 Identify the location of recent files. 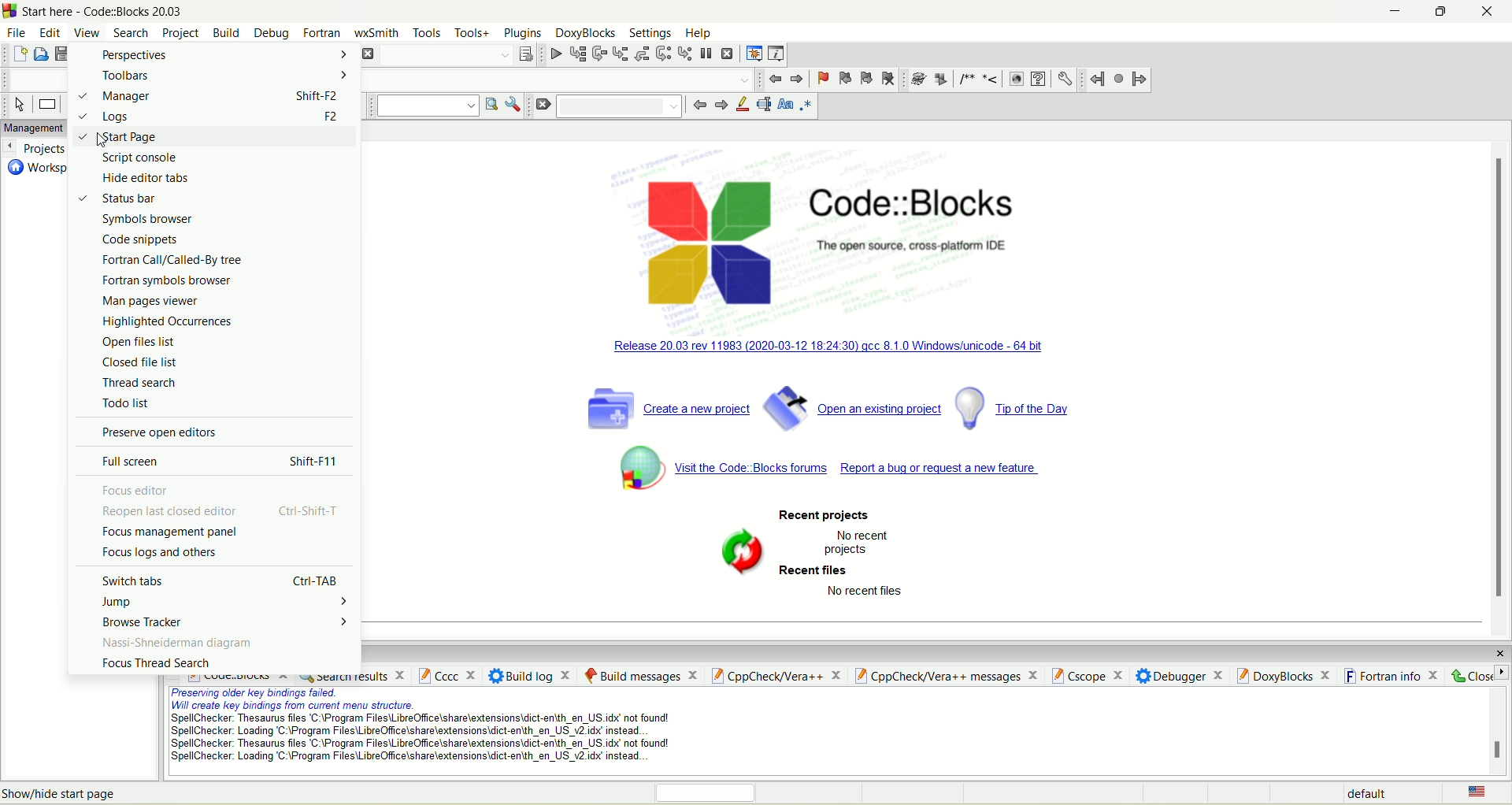
(817, 570).